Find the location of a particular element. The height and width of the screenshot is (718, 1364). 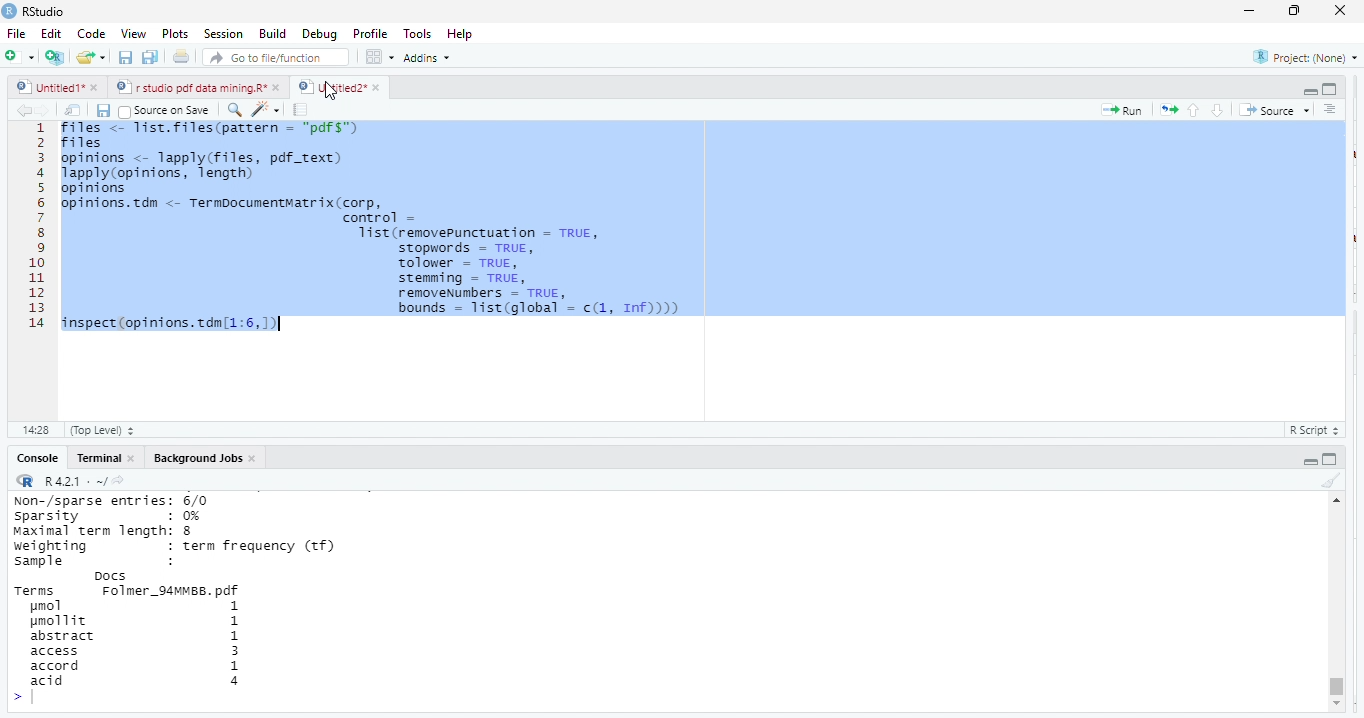

hide console is located at coordinates (1330, 89).